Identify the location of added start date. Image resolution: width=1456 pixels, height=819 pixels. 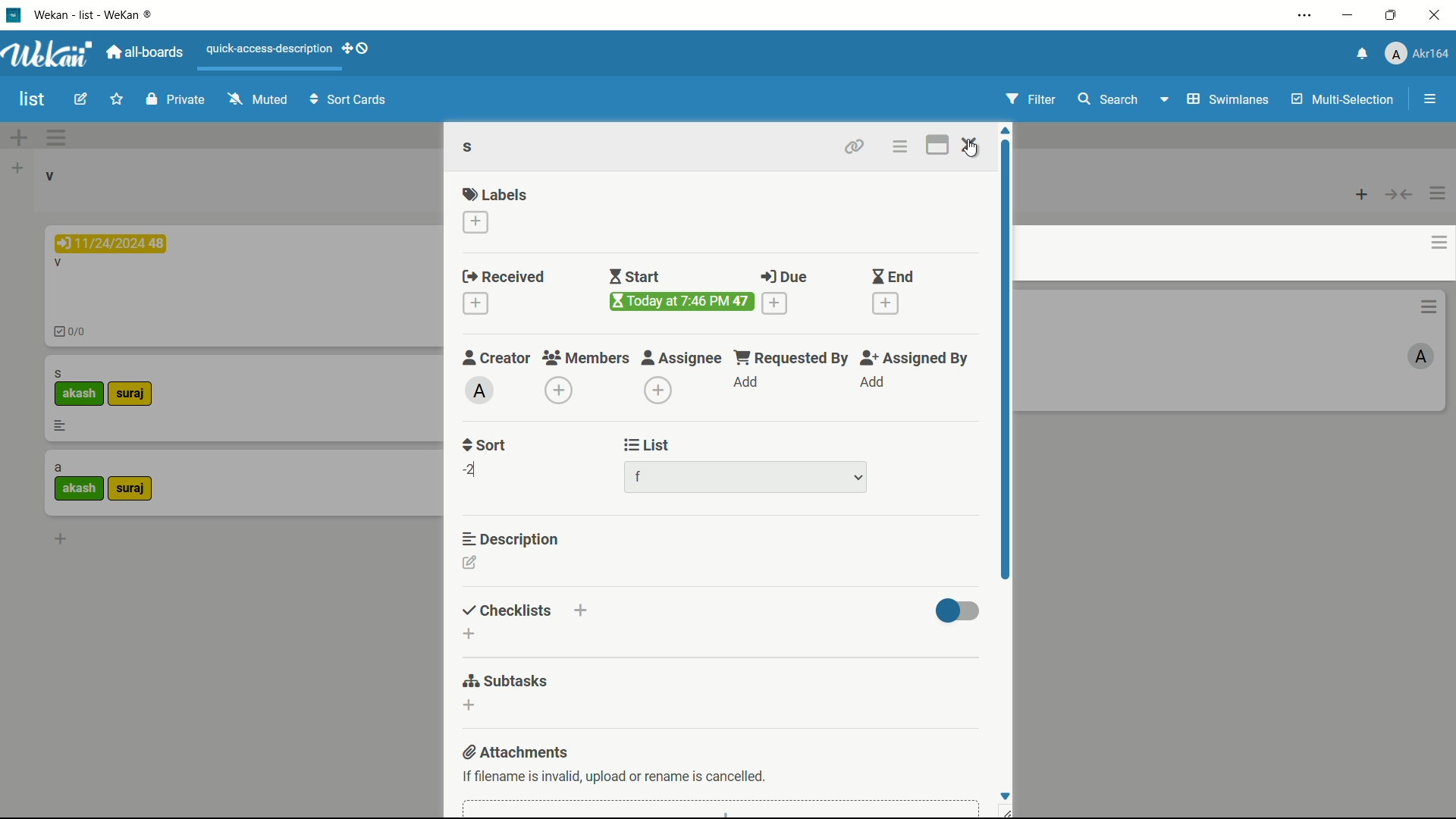
(683, 302).